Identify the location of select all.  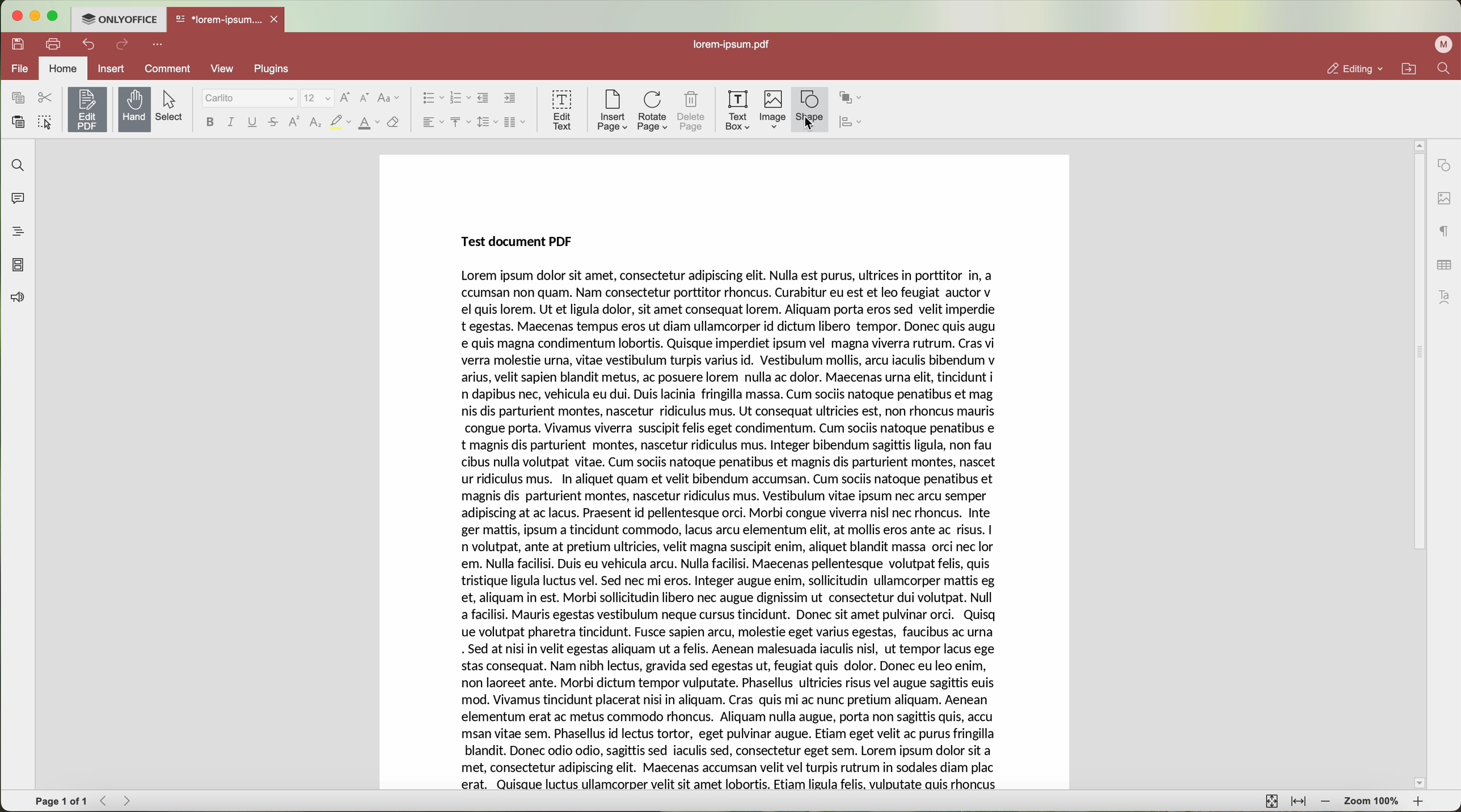
(47, 124).